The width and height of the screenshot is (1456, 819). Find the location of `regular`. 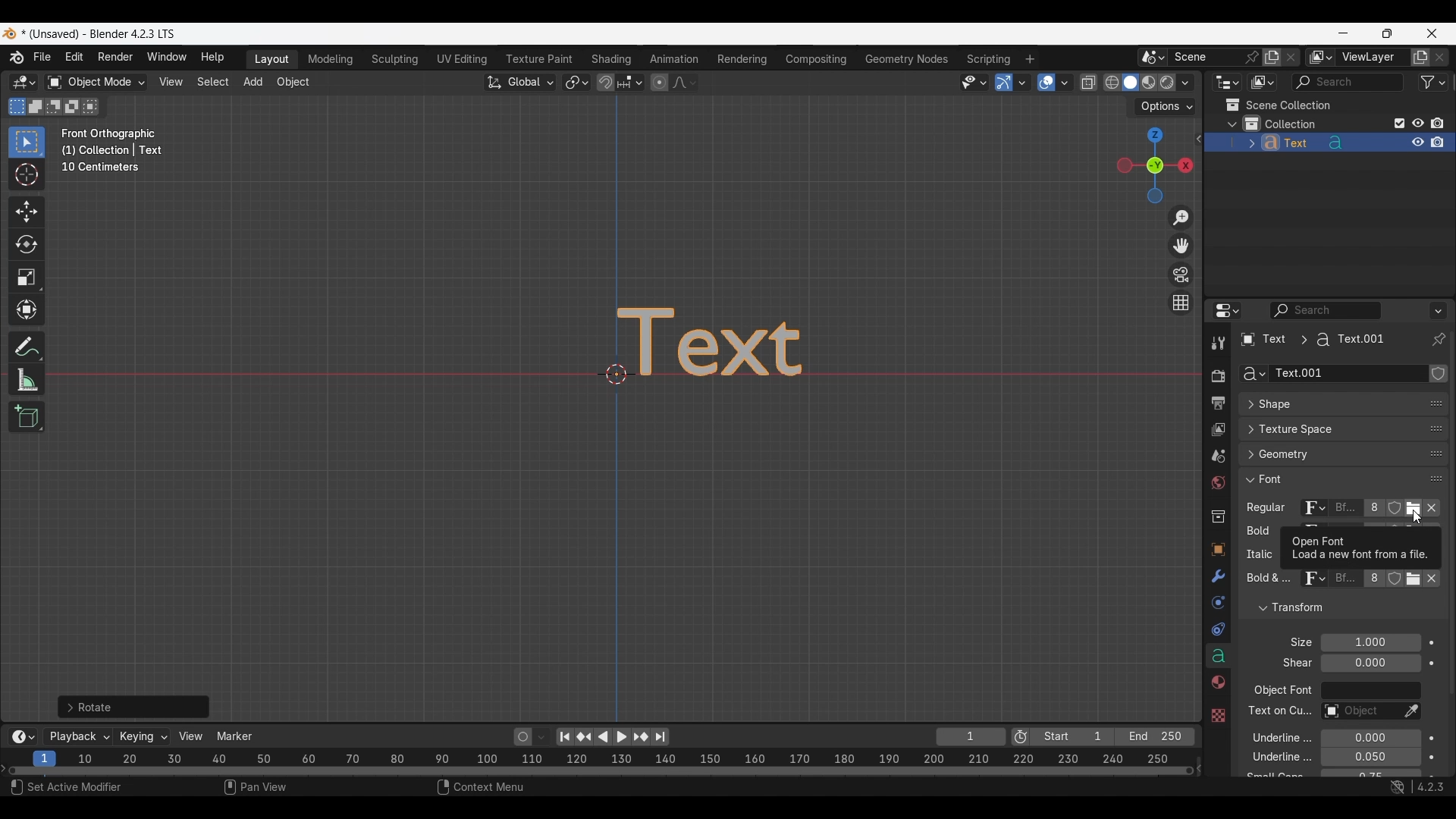

regular is located at coordinates (1269, 509).